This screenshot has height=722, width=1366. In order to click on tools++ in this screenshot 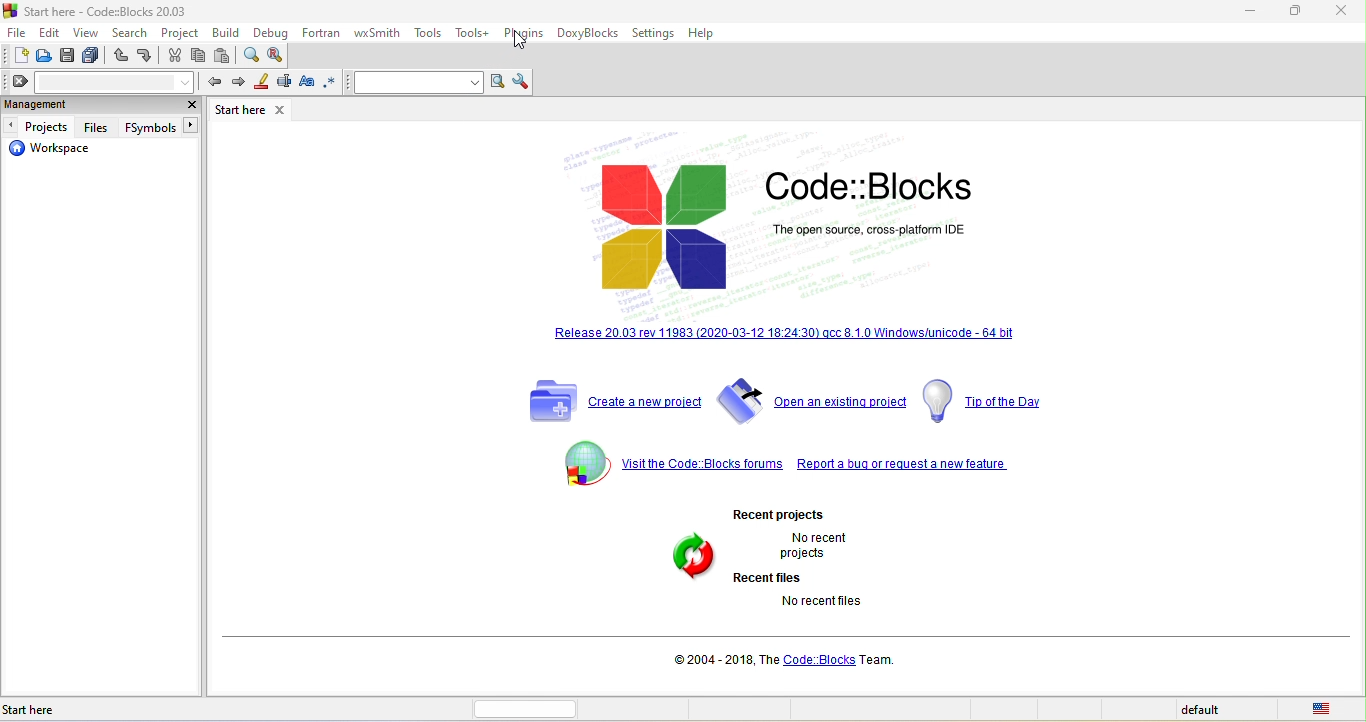, I will do `click(473, 32)`.